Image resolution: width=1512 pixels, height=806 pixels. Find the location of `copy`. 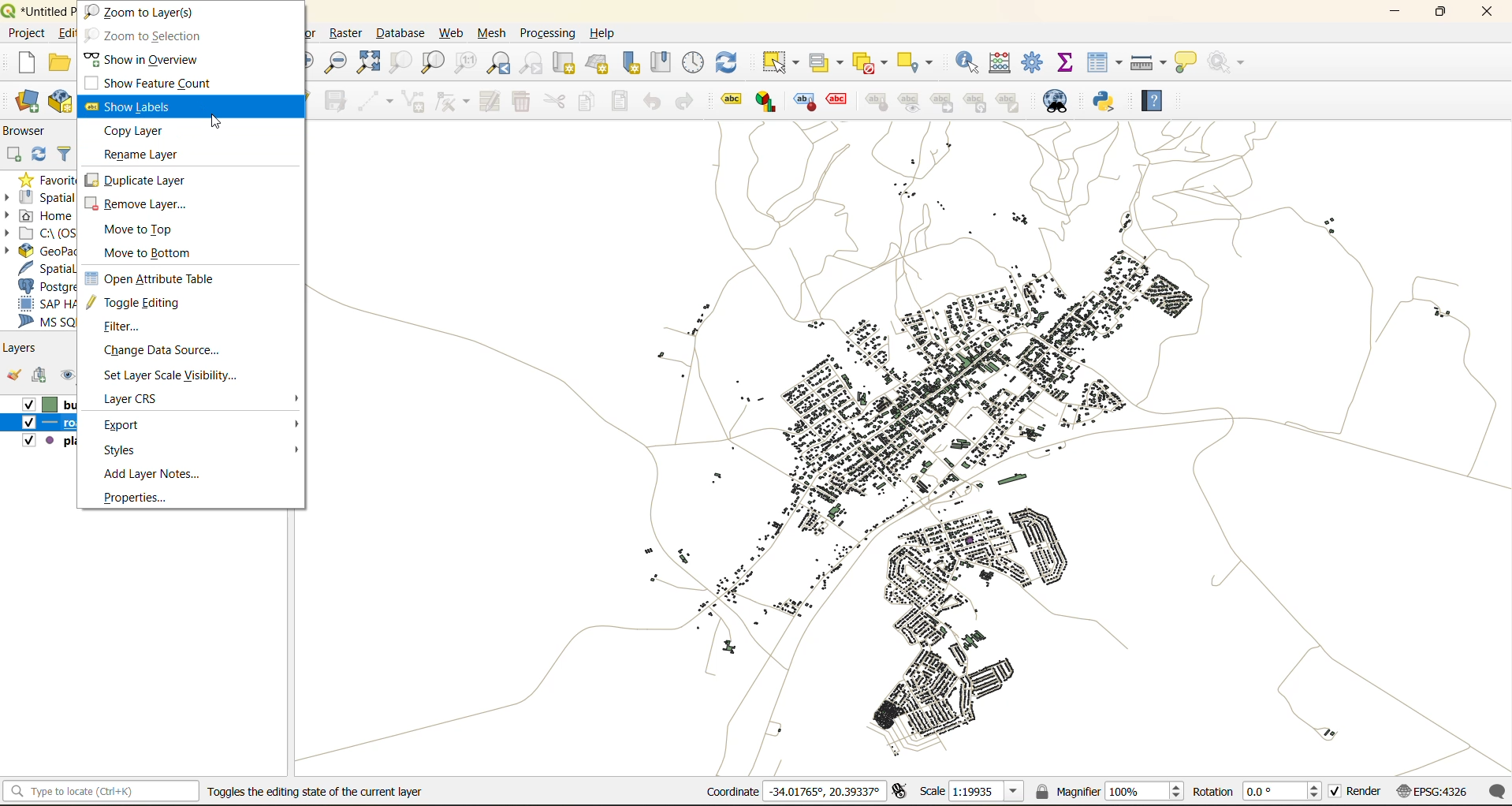

copy is located at coordinates (583, 103).